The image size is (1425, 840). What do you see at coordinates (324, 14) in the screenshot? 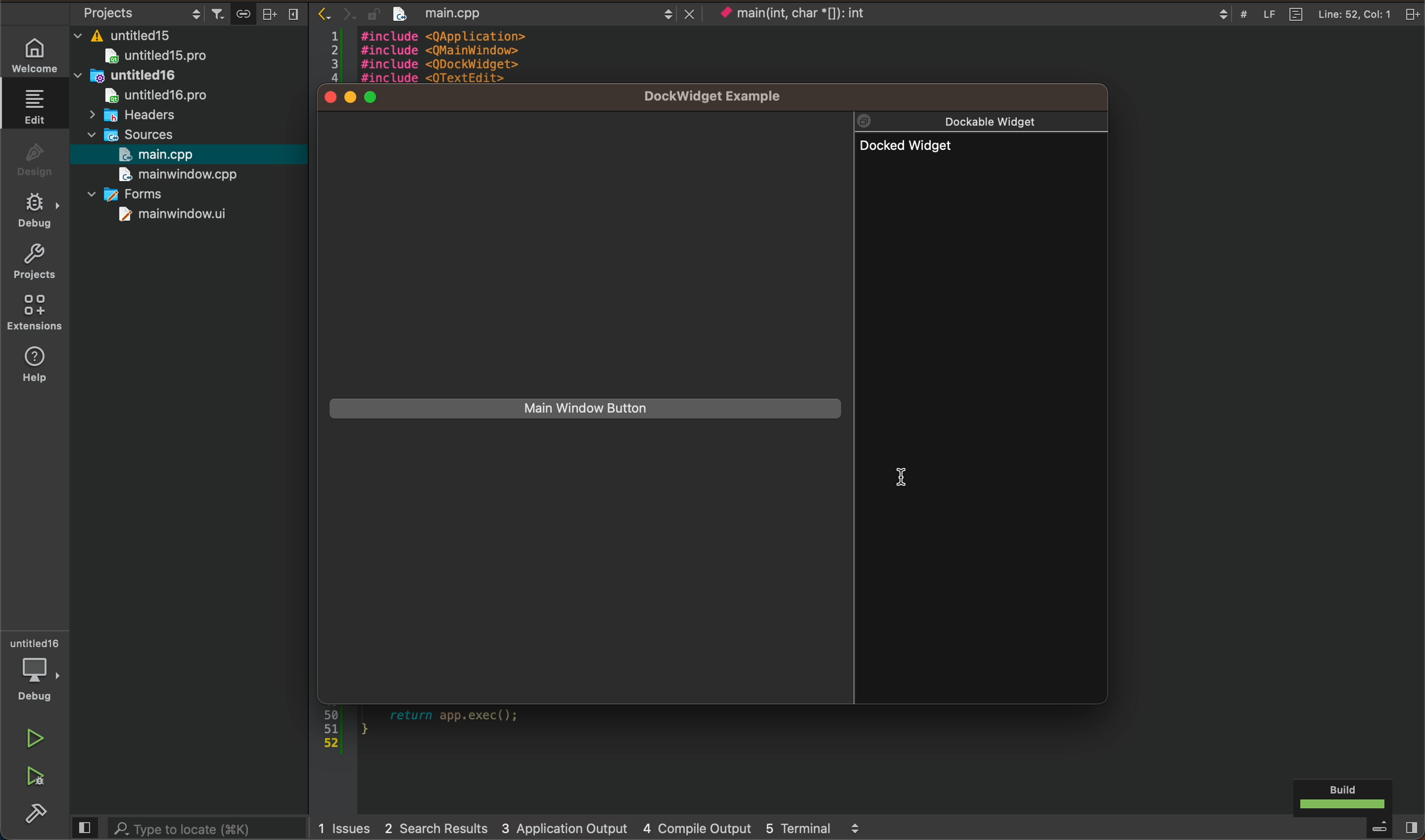
I see `arrows` at bounding box center [324, 14].